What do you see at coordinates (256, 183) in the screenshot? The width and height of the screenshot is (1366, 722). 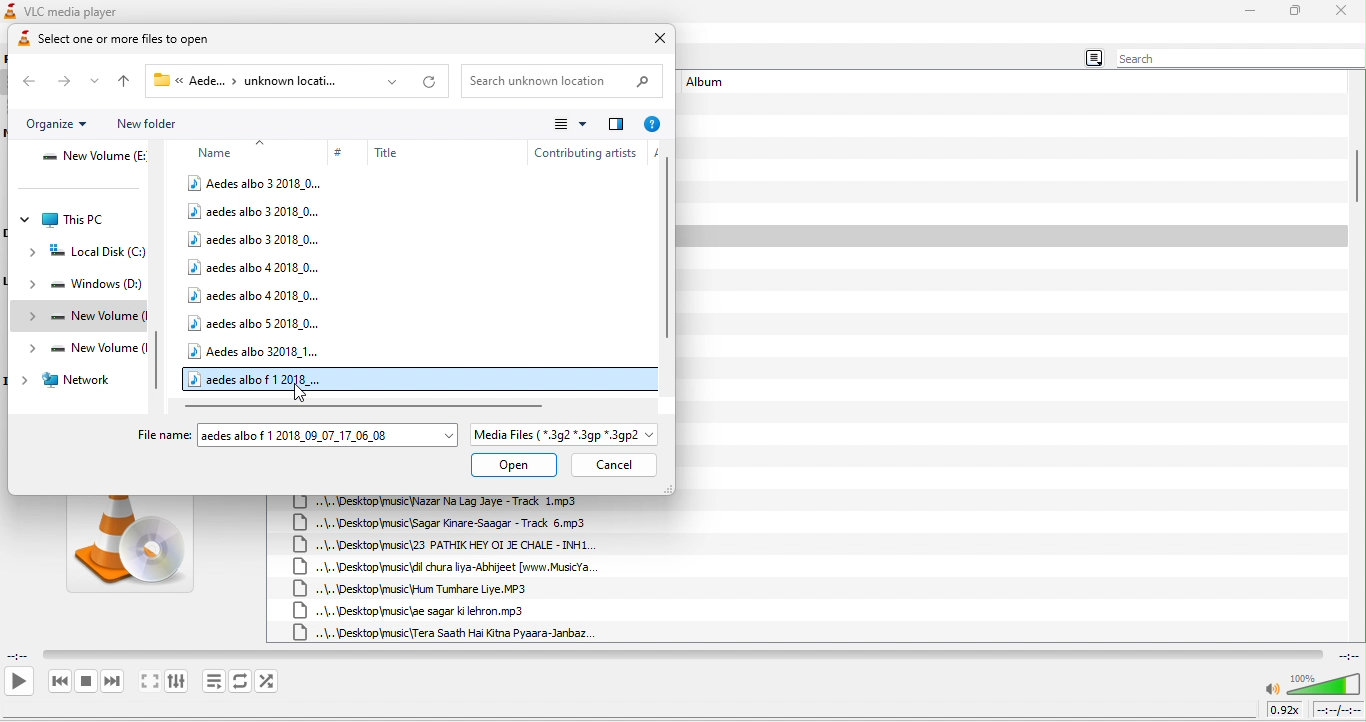 I see `Aedes albo 3 2018_0...` at bounding box center [256, 183].